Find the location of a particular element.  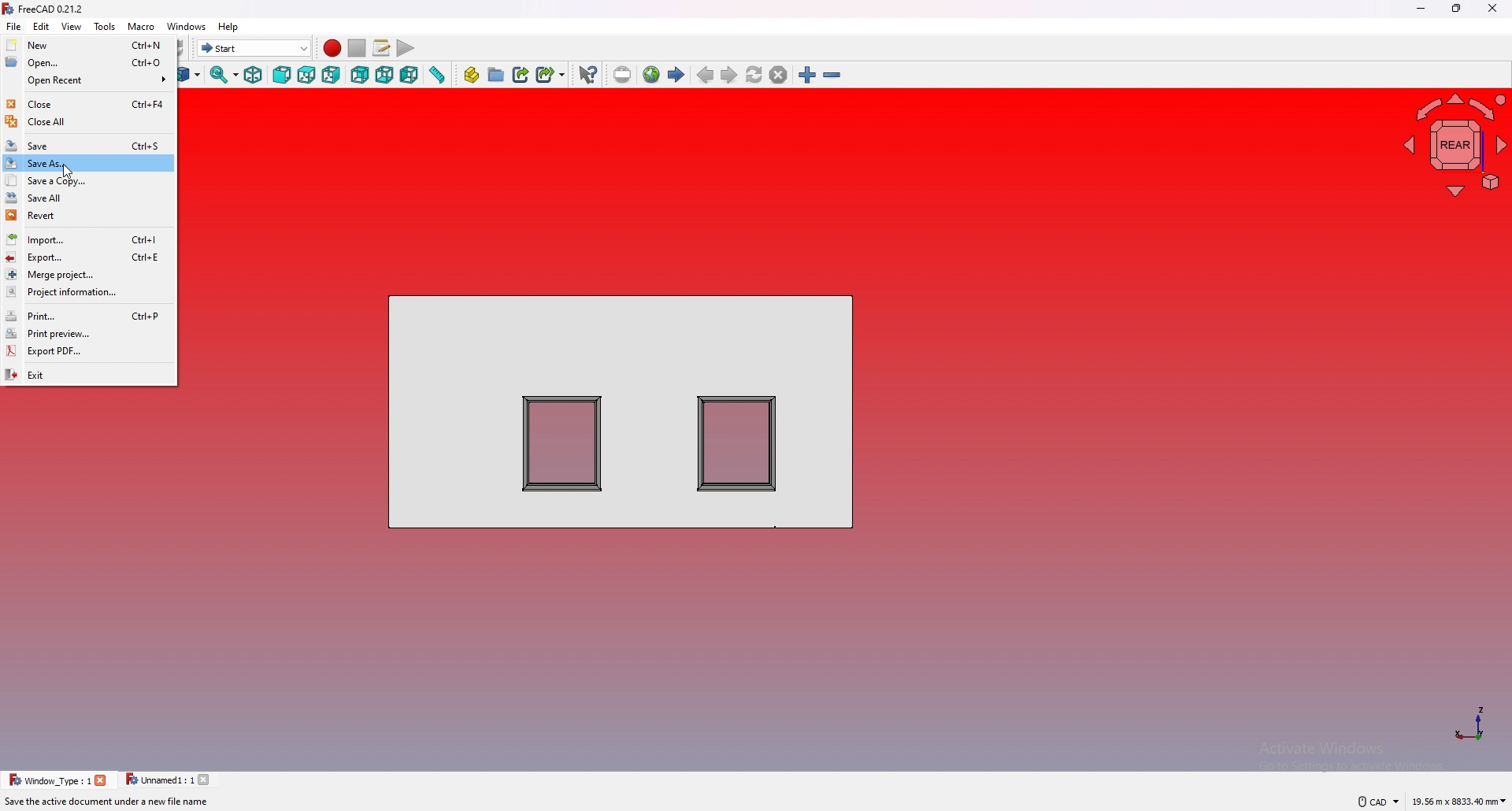

zoom in is located at coordinates (807, 75).